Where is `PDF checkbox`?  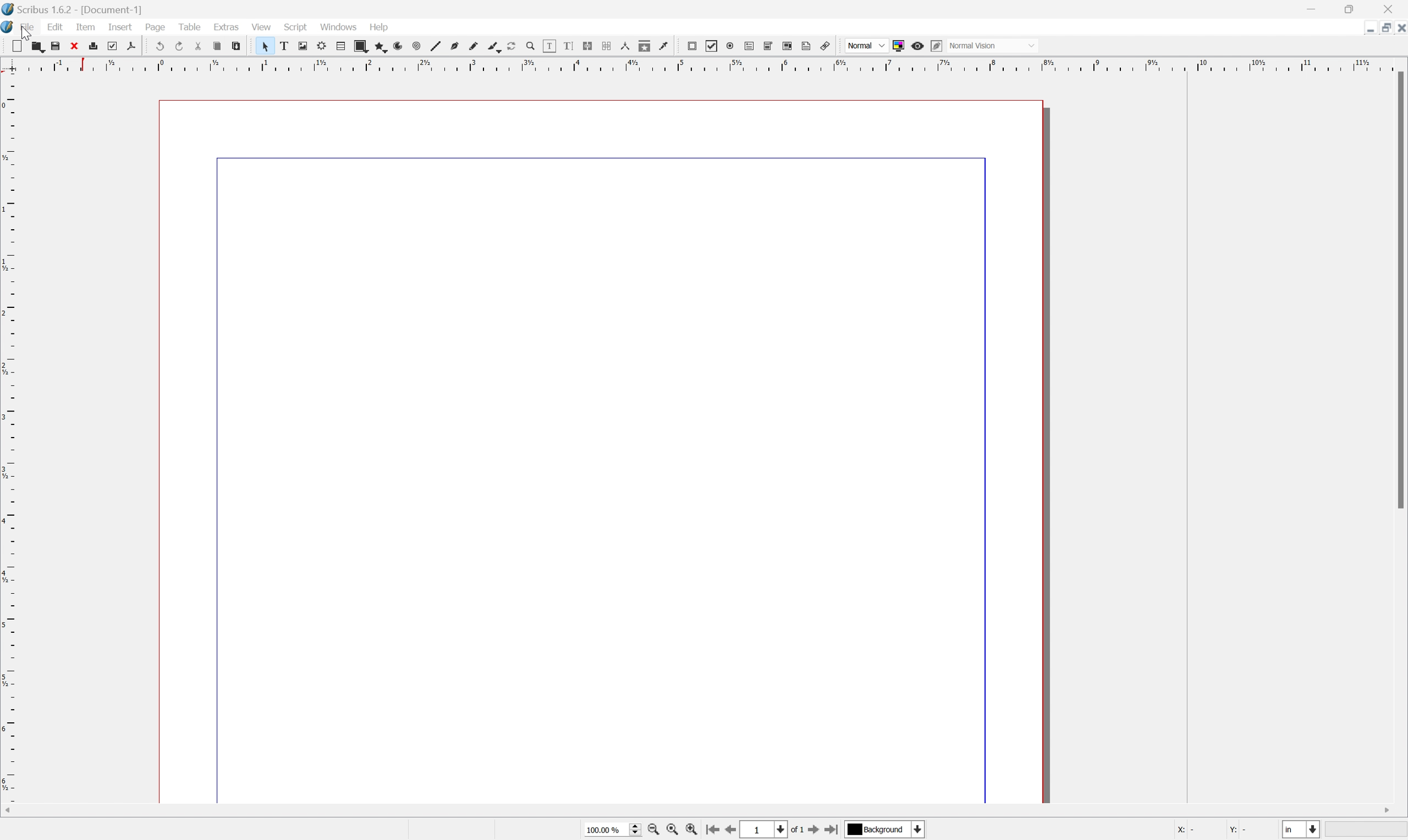
PDF checkbox is located at coordinates (711, 45).